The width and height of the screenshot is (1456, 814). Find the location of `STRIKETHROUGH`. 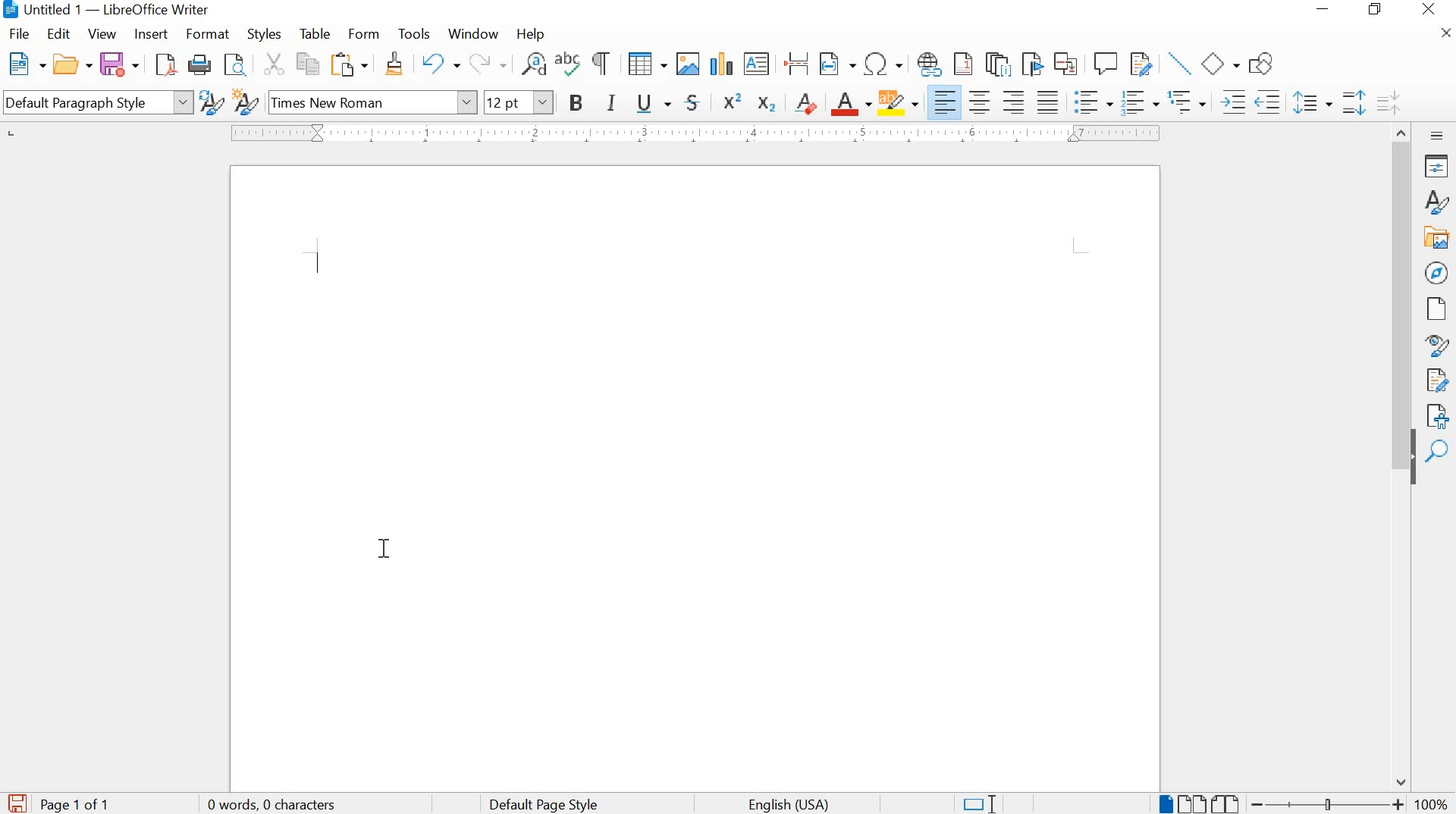

STRIKETHROUGH is located at coordinates (692, 105).